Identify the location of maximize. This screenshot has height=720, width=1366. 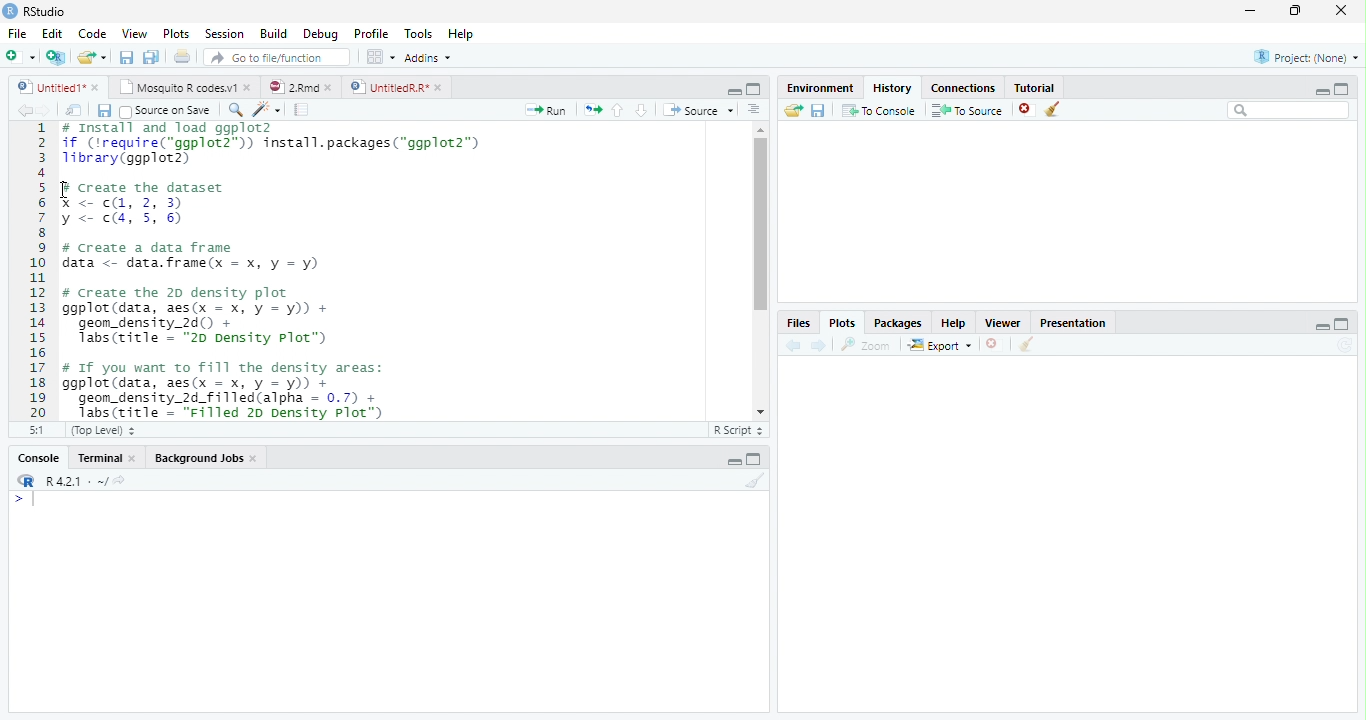
(1342, 88).